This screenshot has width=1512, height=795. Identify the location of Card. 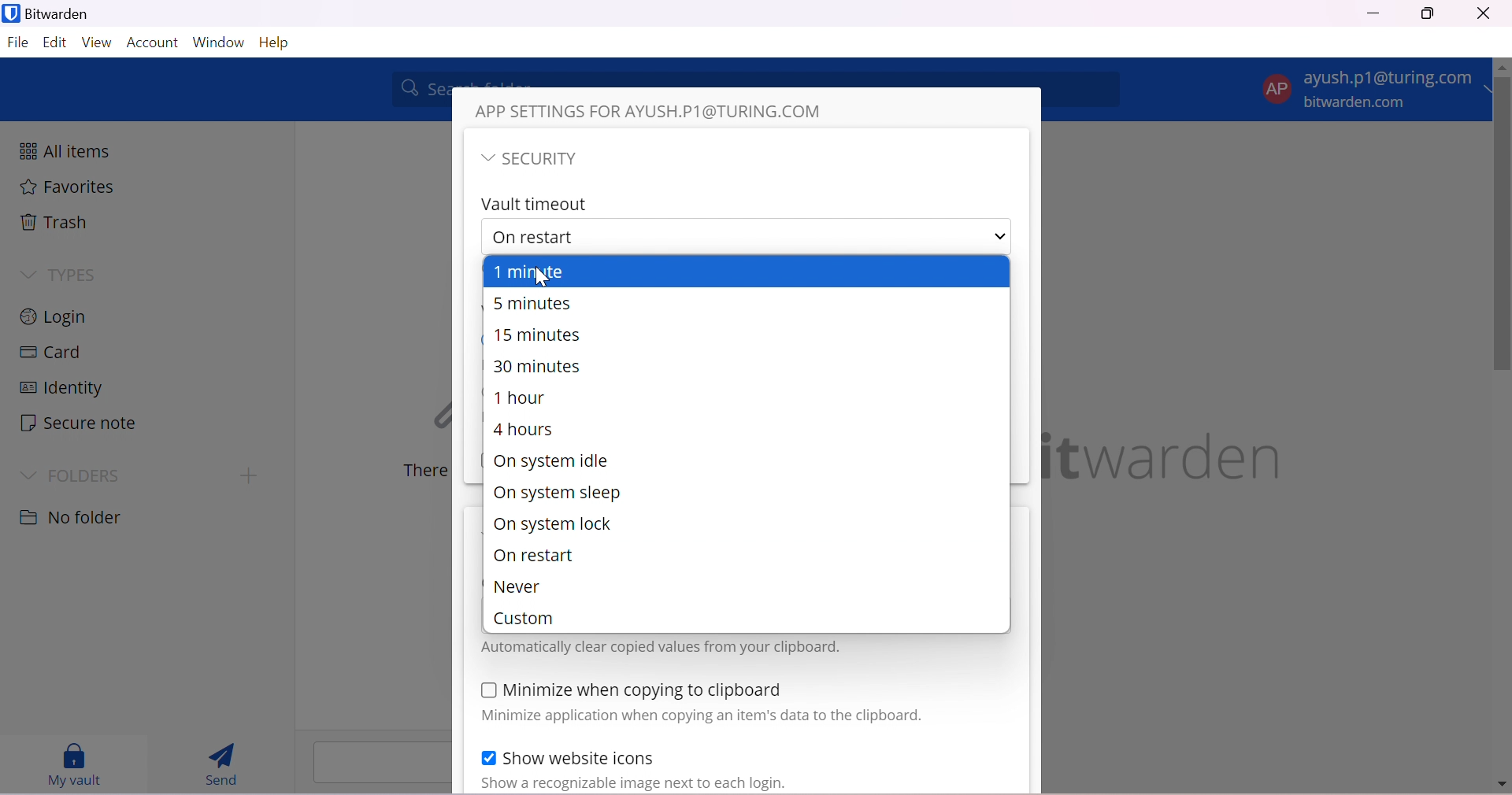
(51, 352).